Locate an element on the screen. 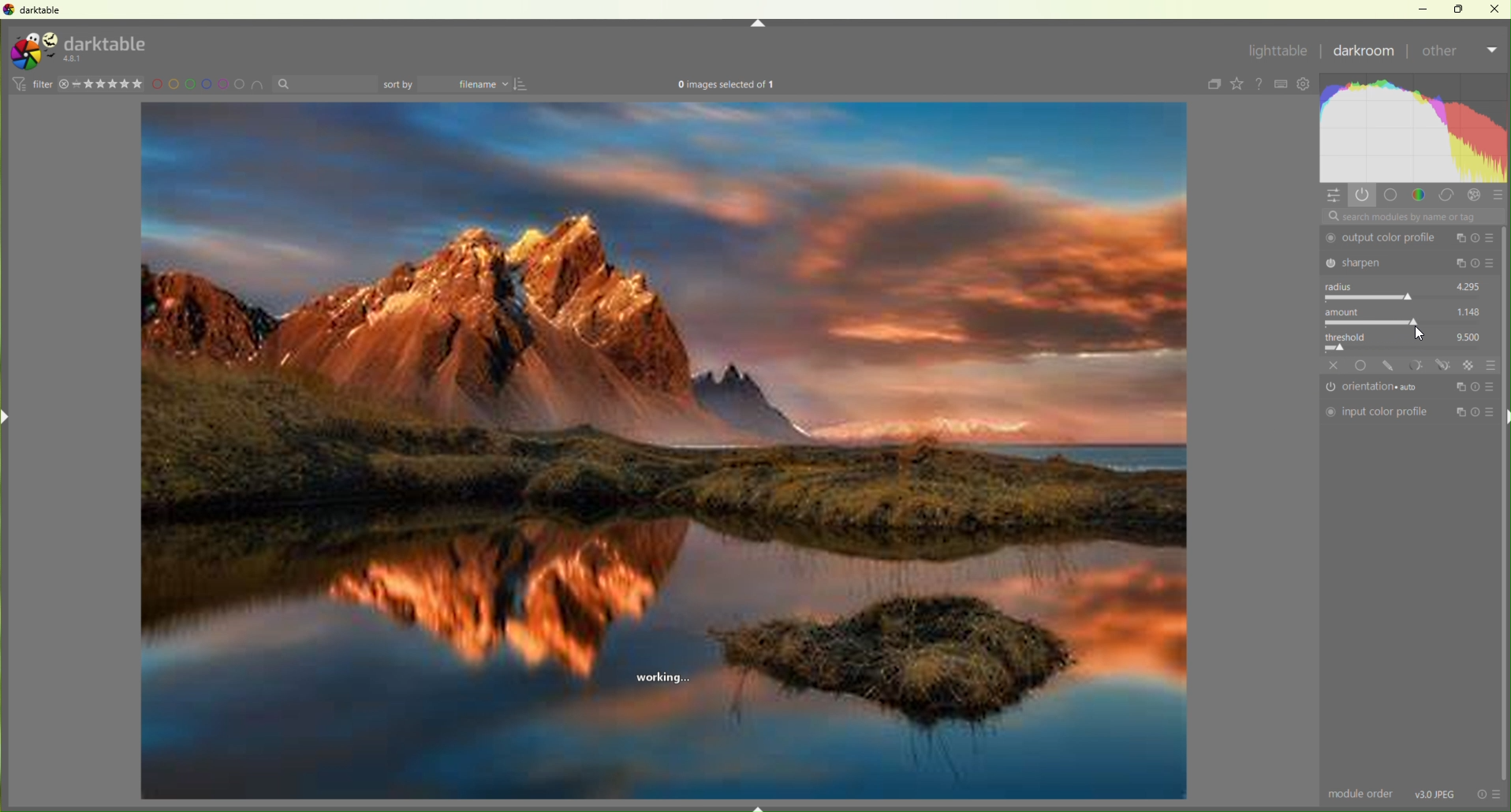  sort by is located at coordinates (325, 84).